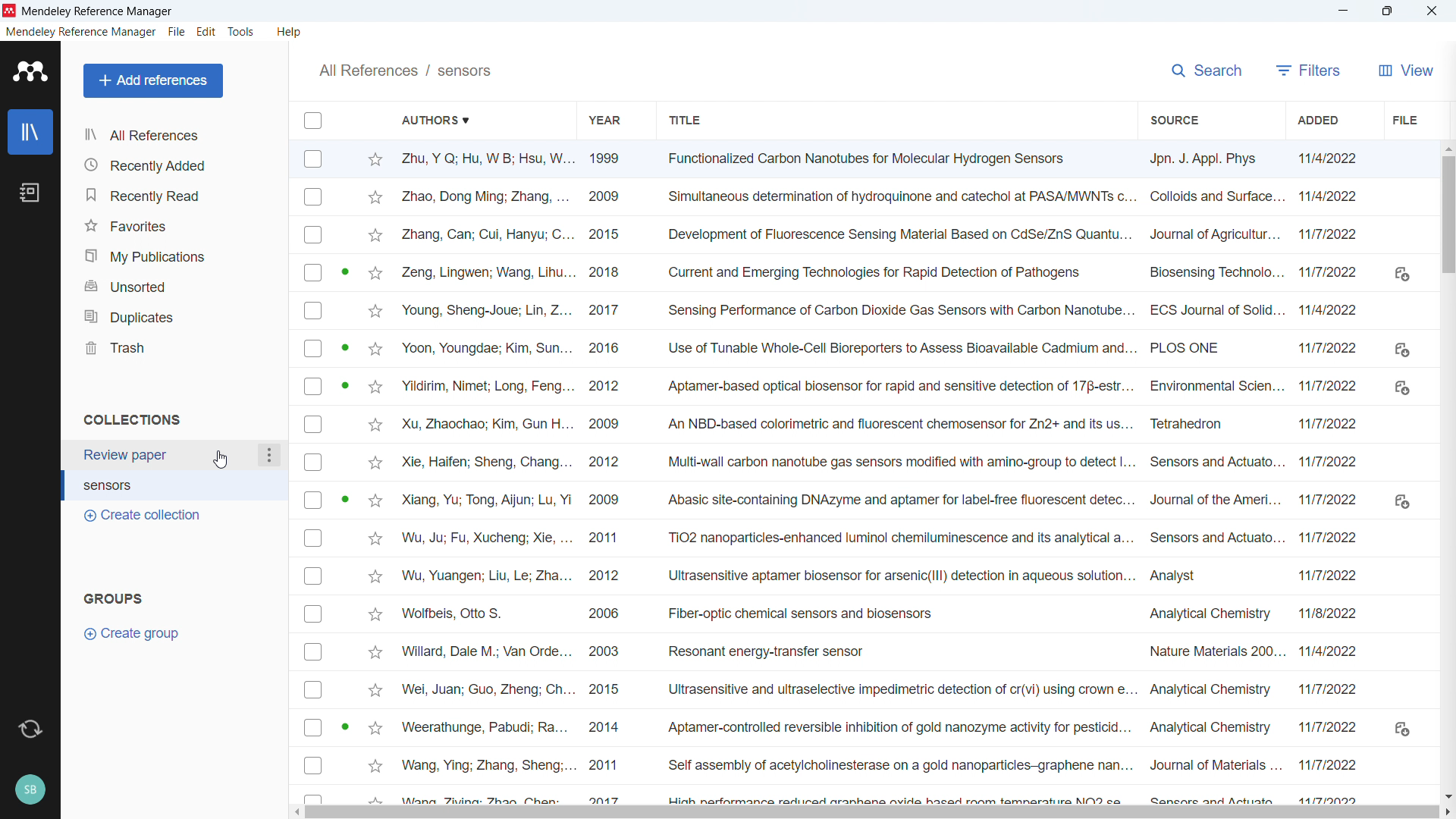 Image resolution: width=1456 pixels, height=819 pixels. Describe the element at coordinates (243, 32) in the screenshot. I see `tools ` at that location.